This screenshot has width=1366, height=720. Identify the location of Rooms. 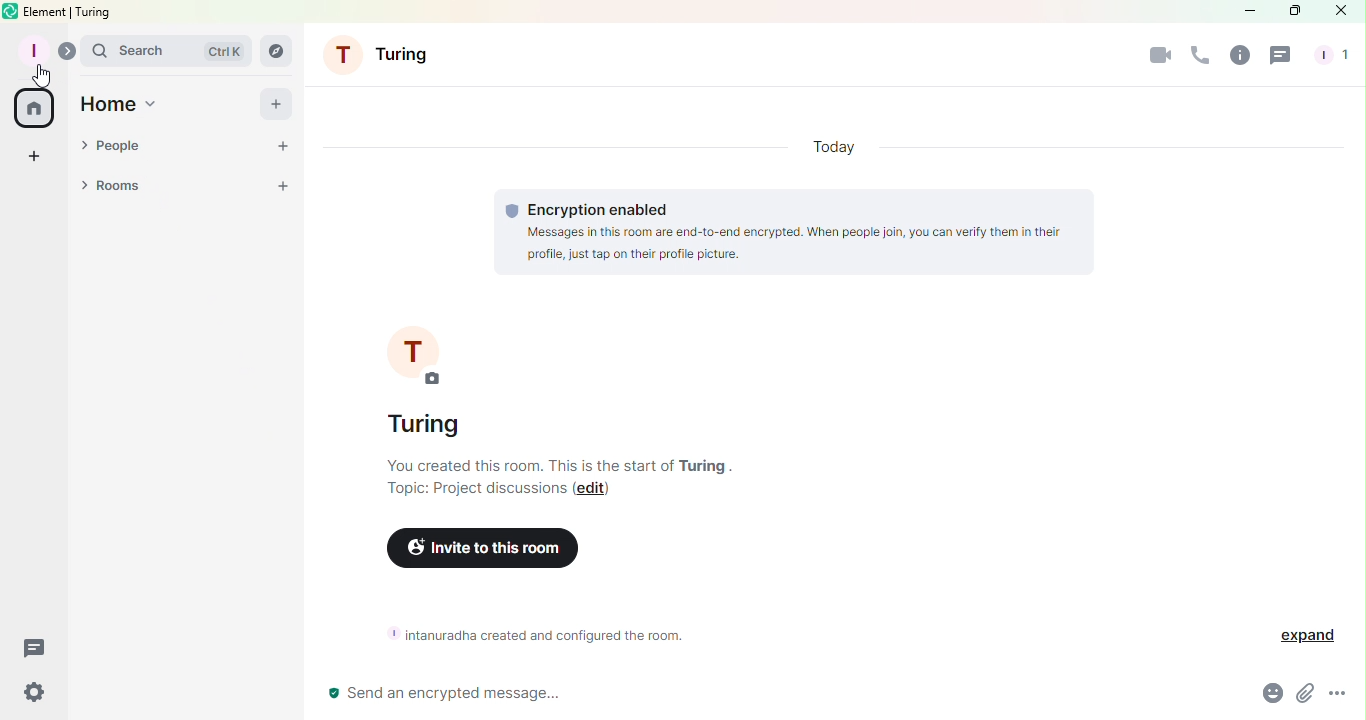
(112, 188).